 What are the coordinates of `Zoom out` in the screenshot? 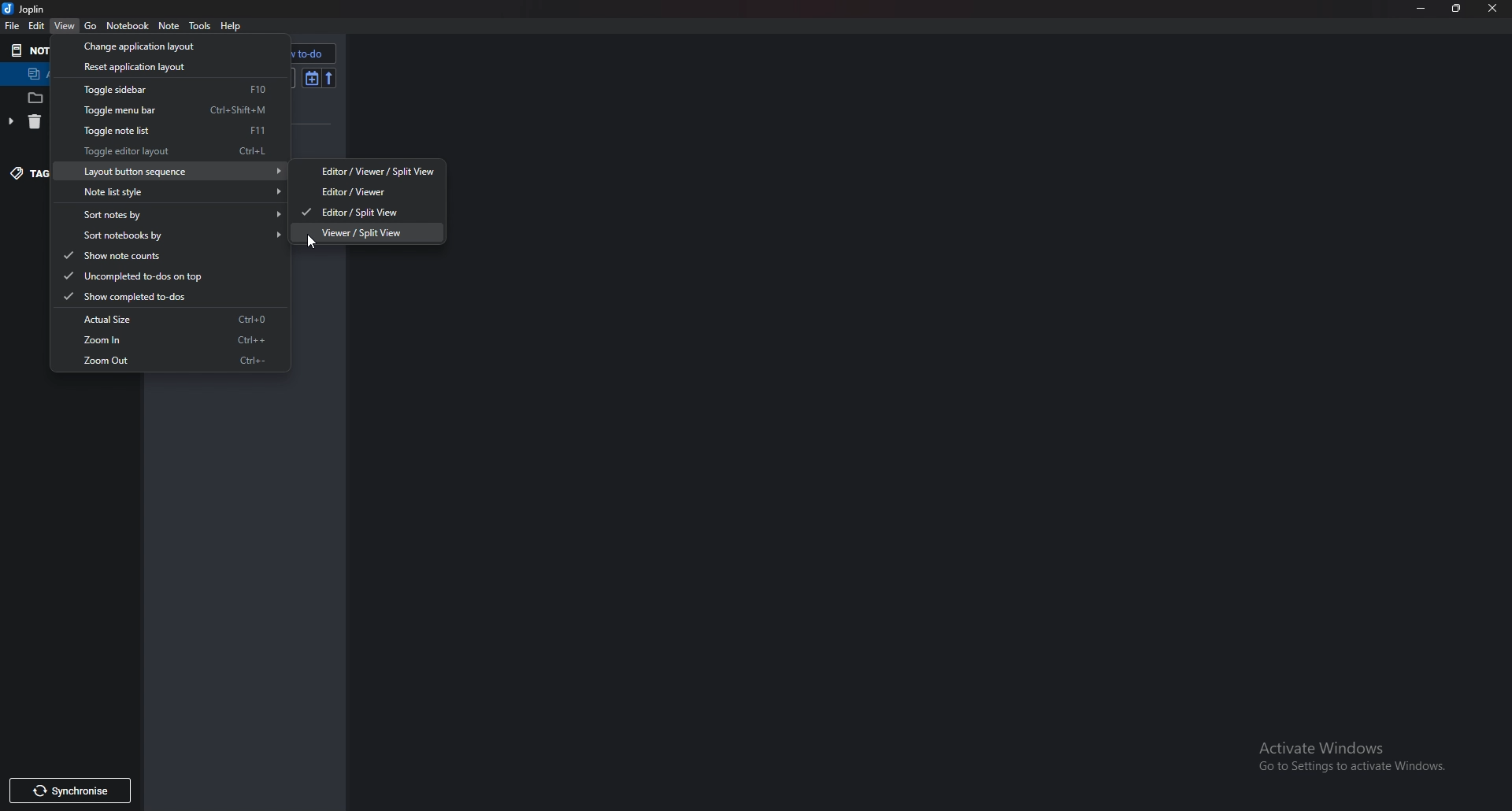 It's located at (172, 360).